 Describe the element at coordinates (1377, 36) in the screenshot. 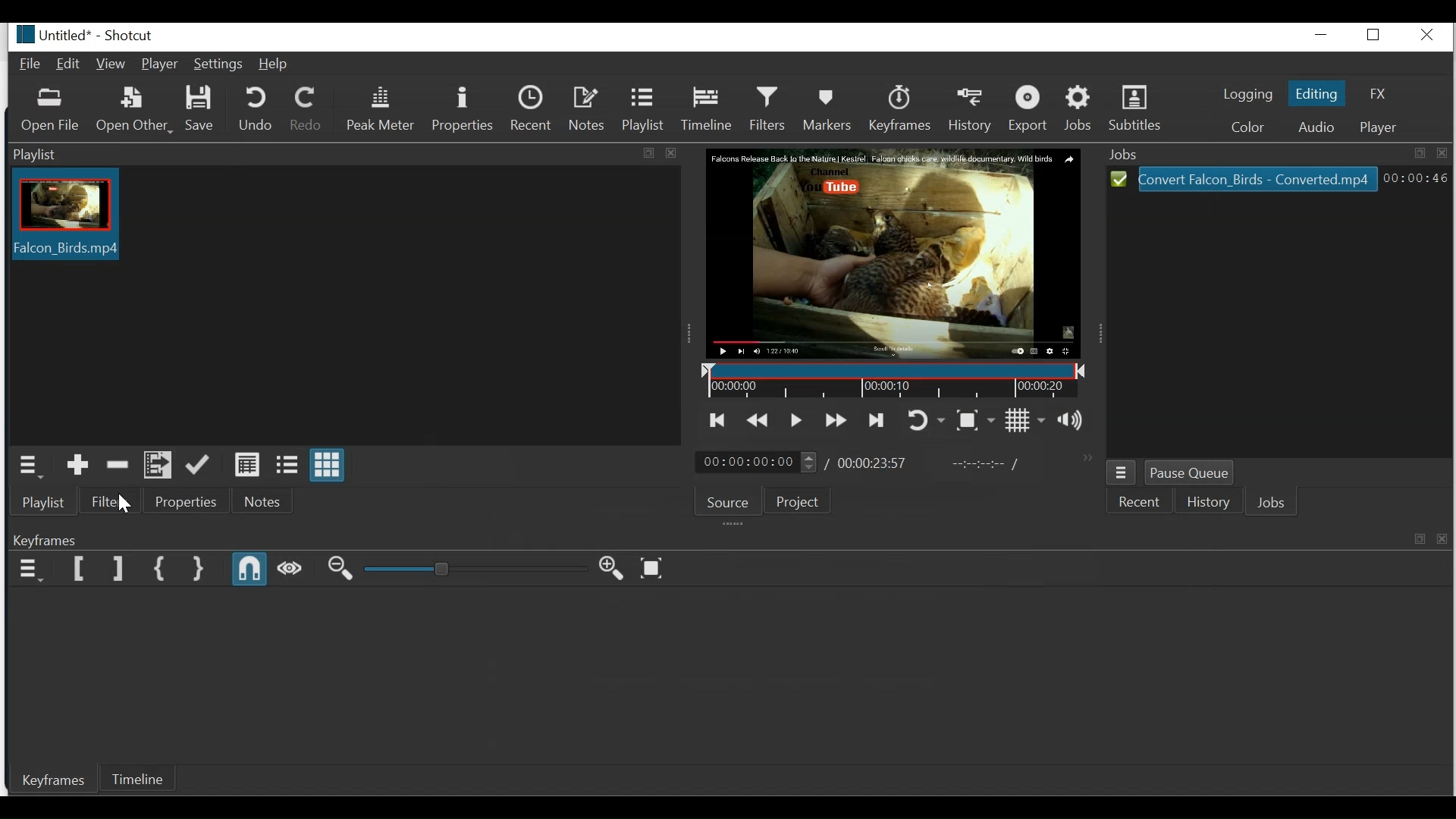

I see `Restore` at that location.